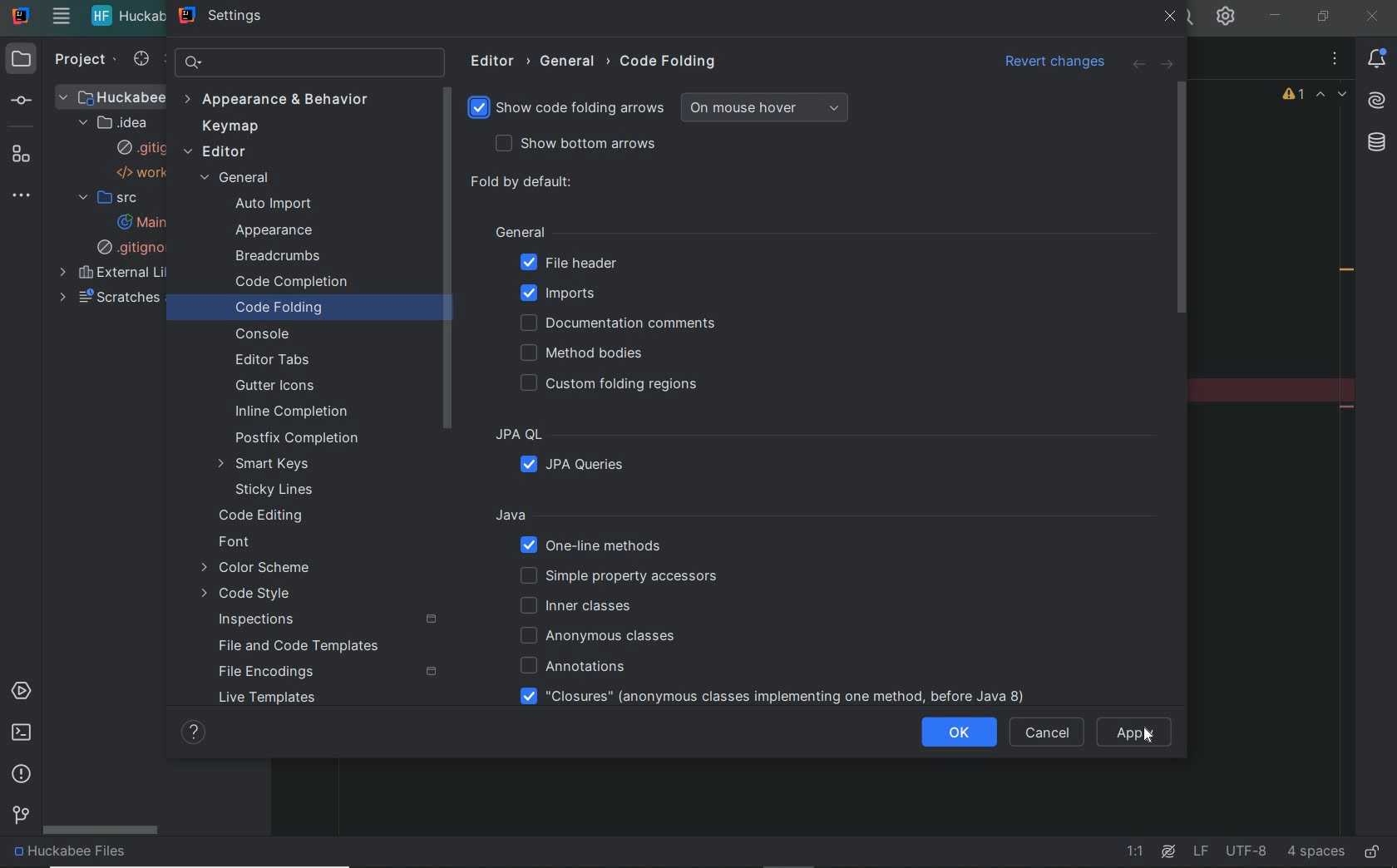  I want to click on general, so click(238, 179).